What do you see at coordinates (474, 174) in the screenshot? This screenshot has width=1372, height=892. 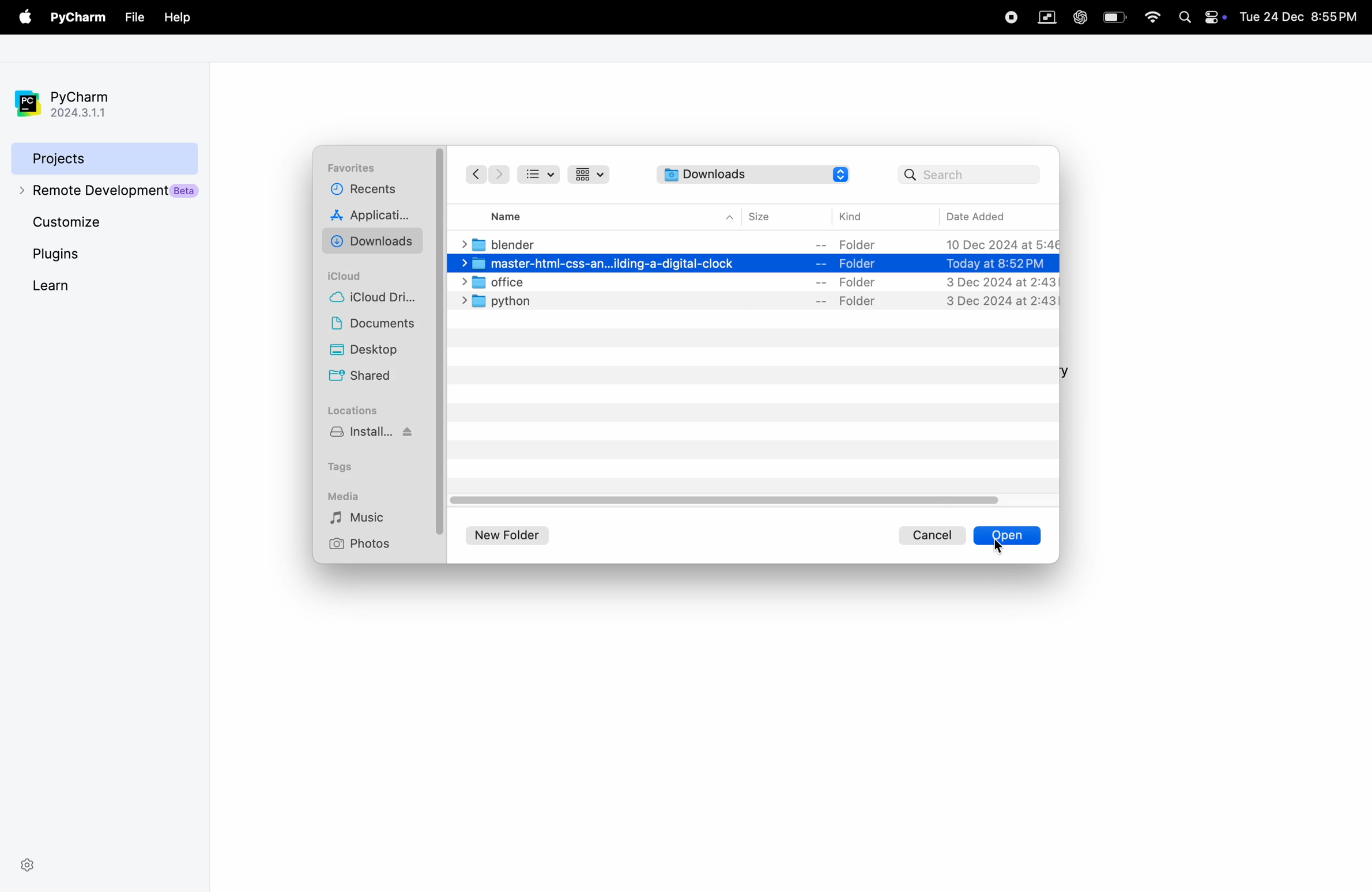 I see `backward` at bounding box center [474, 174].